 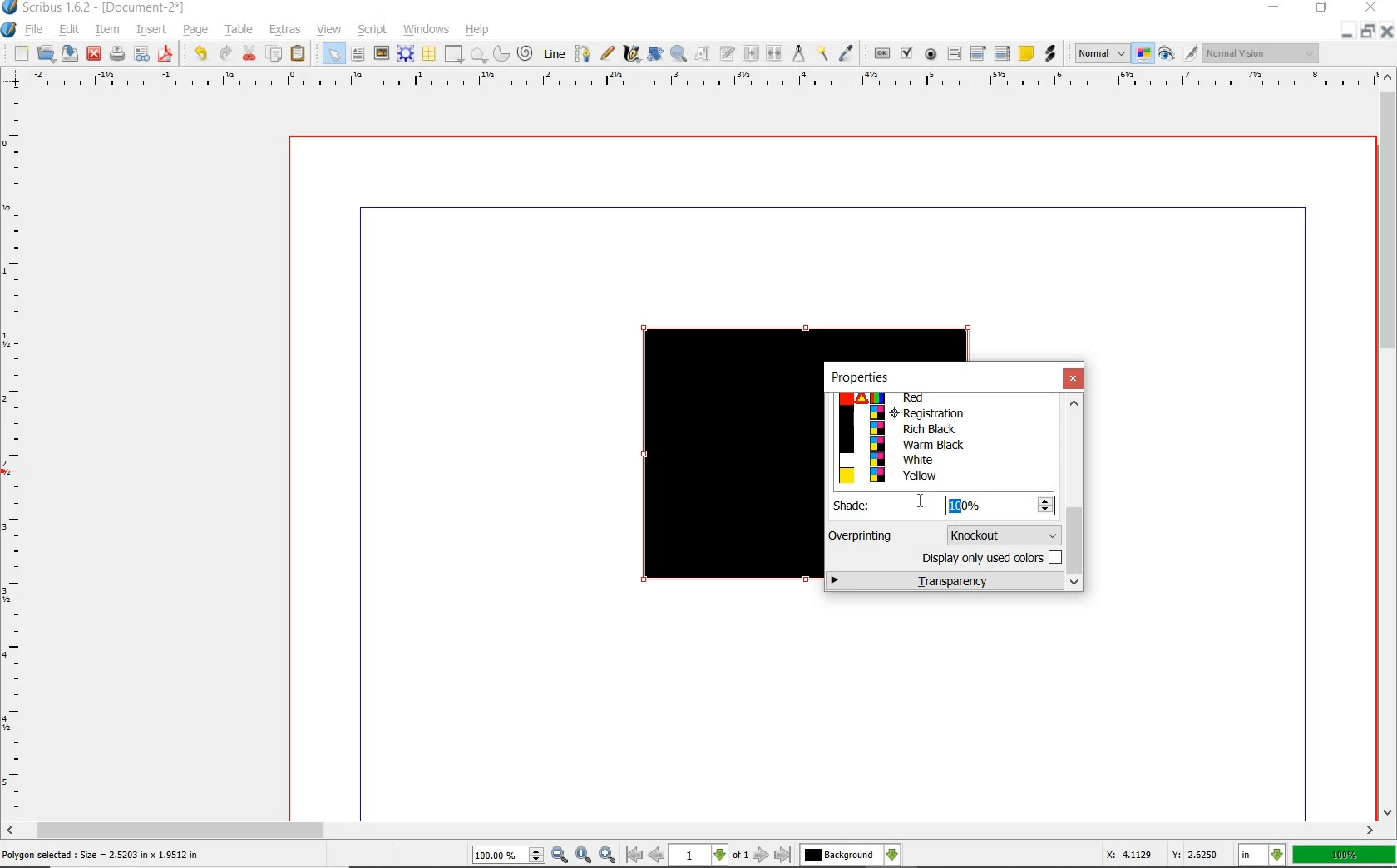 I want to click on insert, so click(x=154, y=29).